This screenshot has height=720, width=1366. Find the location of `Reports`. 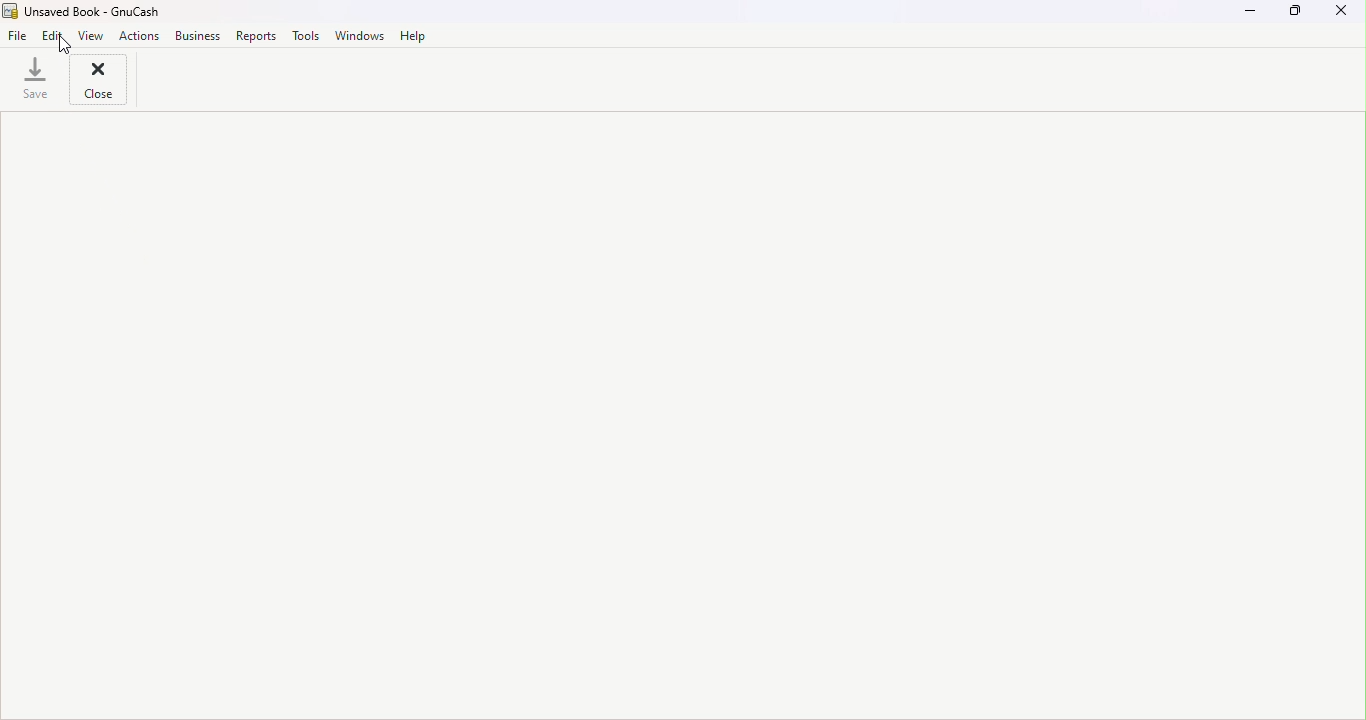

Reports is located at coordinates (257, 35).